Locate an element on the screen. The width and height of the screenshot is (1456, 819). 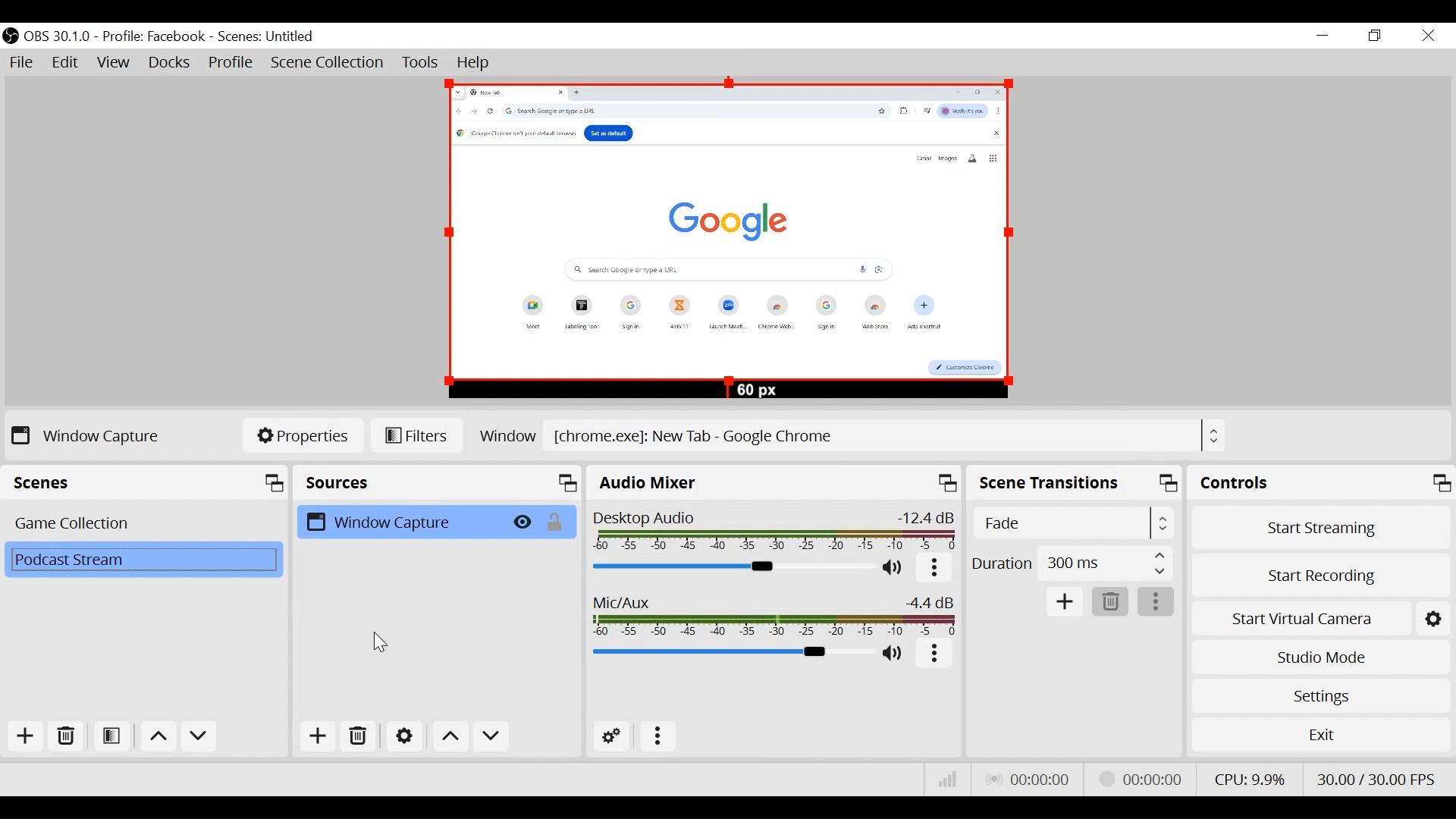
Preview is located at coordinates (727, 241).